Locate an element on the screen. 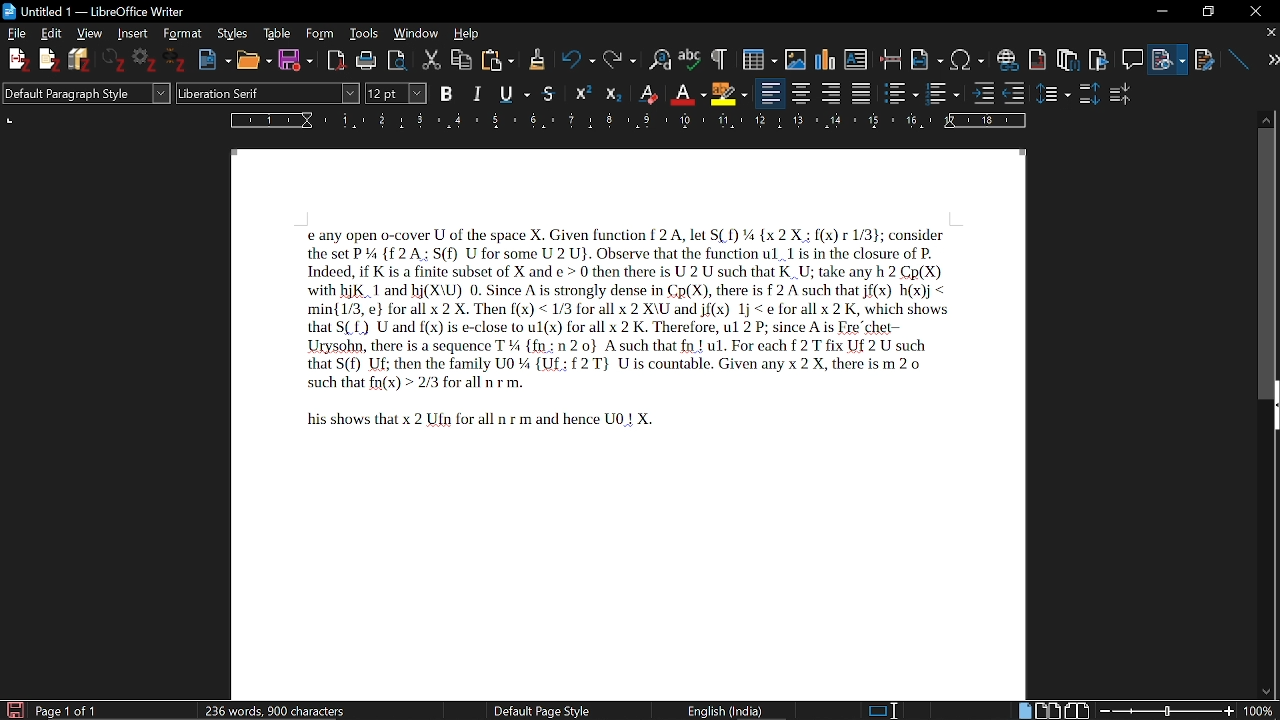  Settings is located at coordinates (147, 62).